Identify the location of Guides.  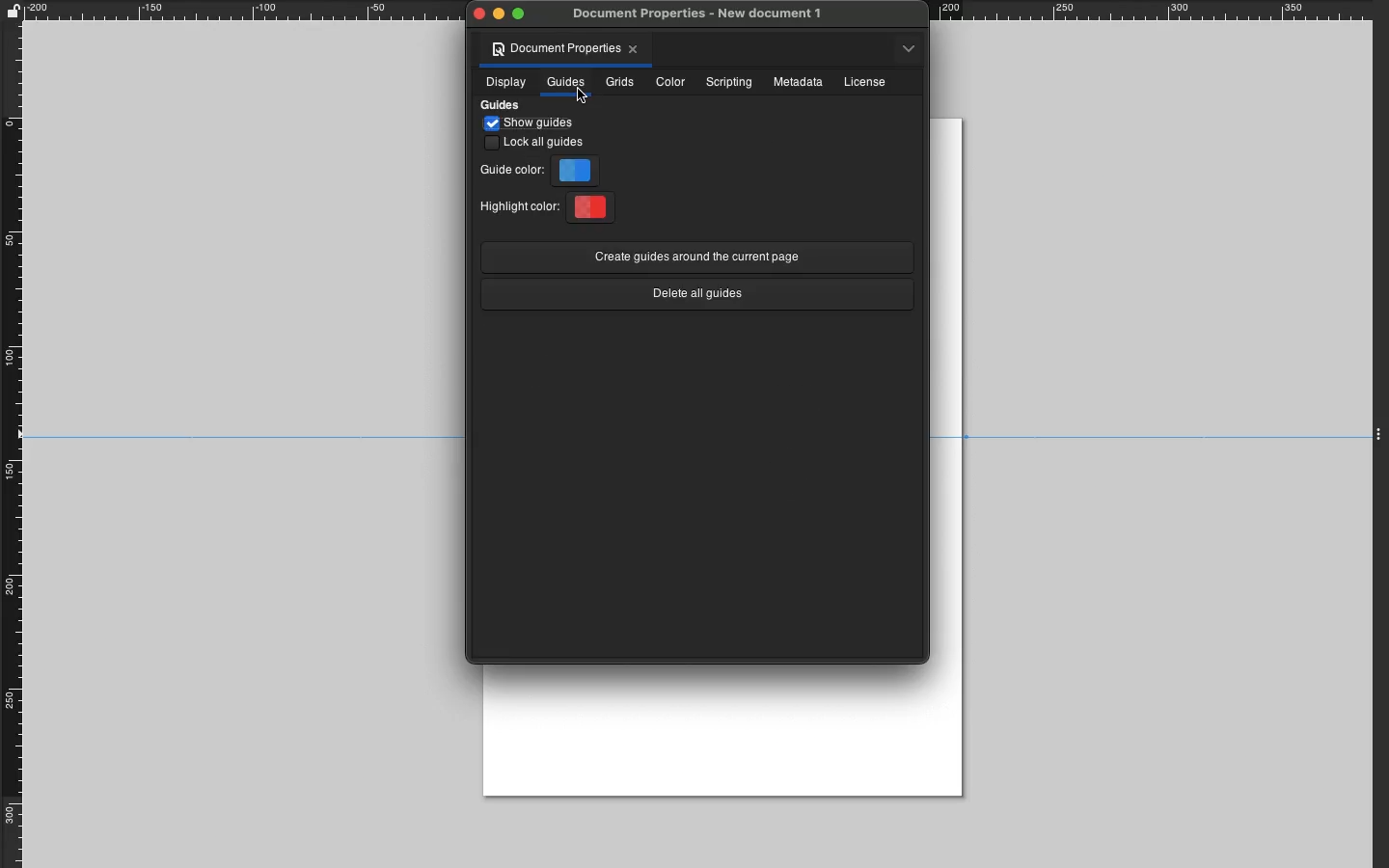
(565, 82).